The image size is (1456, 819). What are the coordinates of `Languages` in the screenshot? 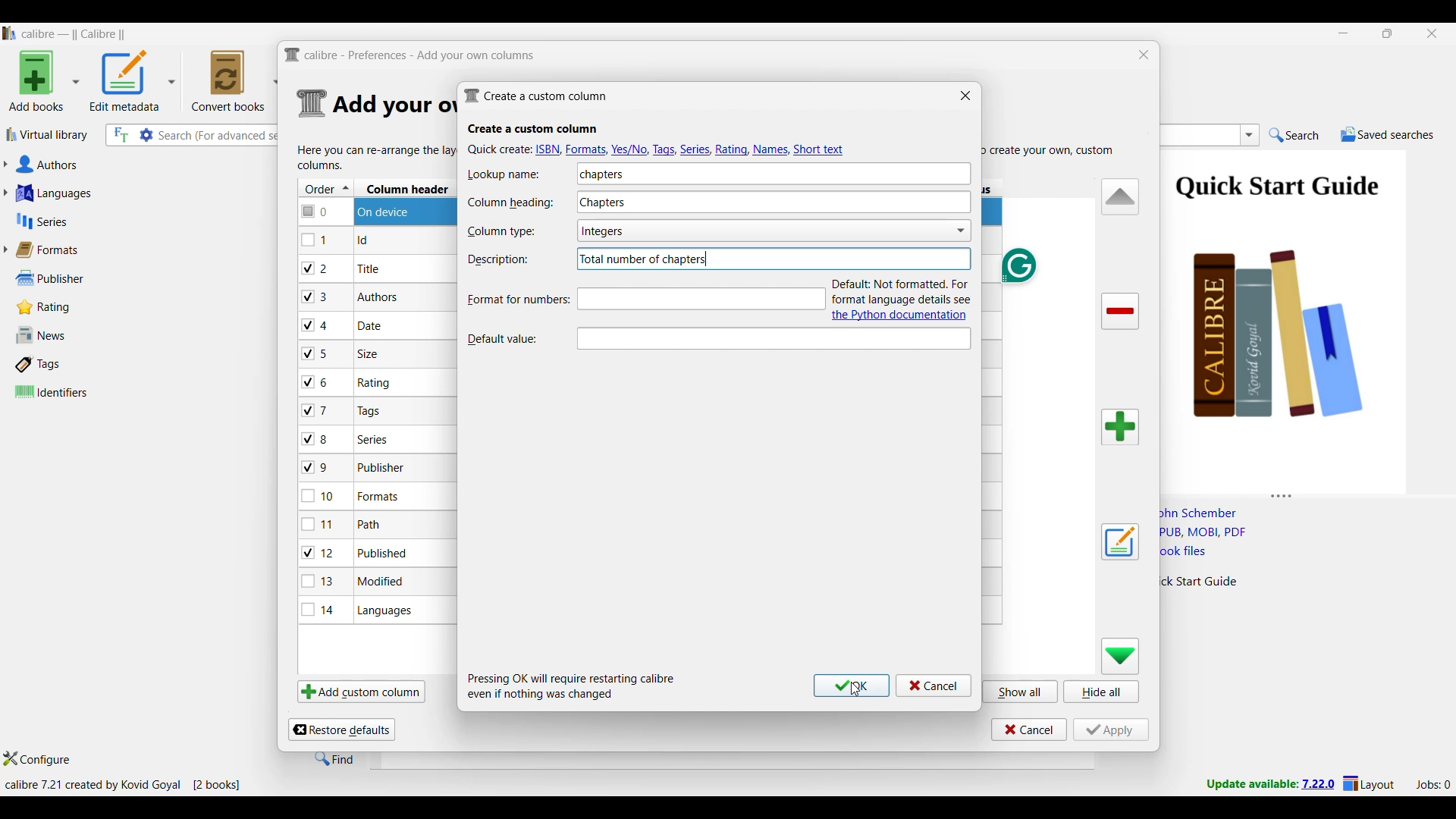 It's located at (115, 193).